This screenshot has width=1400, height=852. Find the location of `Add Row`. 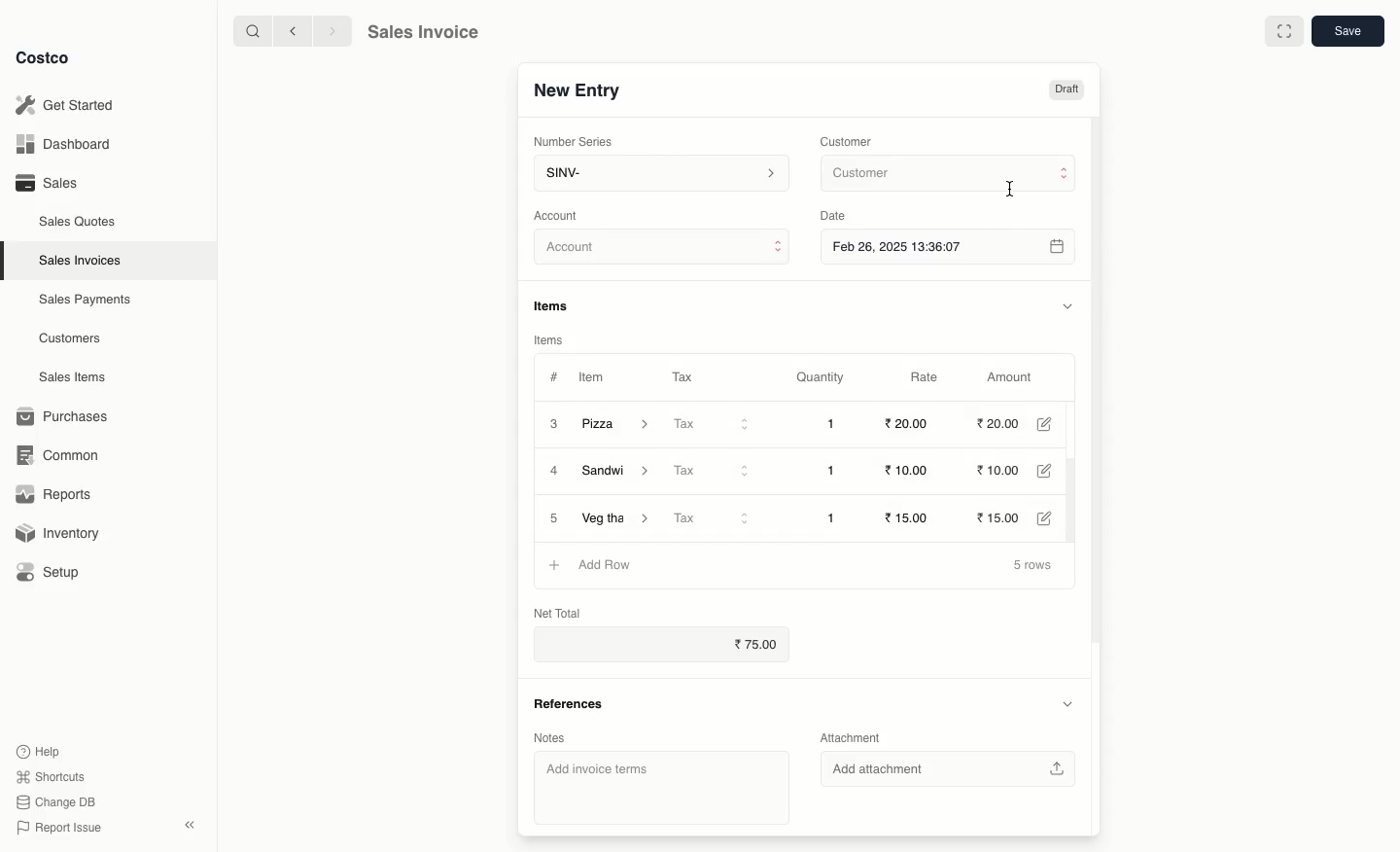

Add Row is located at coordinates (605, 562).